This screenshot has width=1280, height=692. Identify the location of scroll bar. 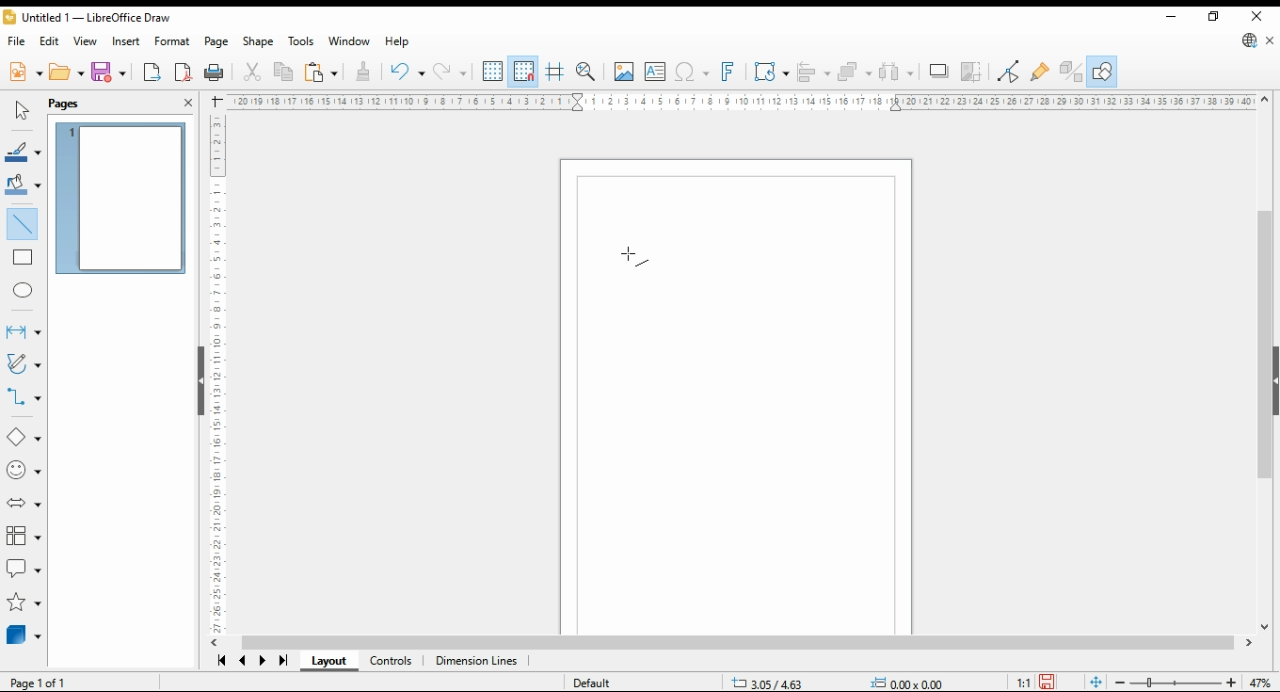
(738, 642).